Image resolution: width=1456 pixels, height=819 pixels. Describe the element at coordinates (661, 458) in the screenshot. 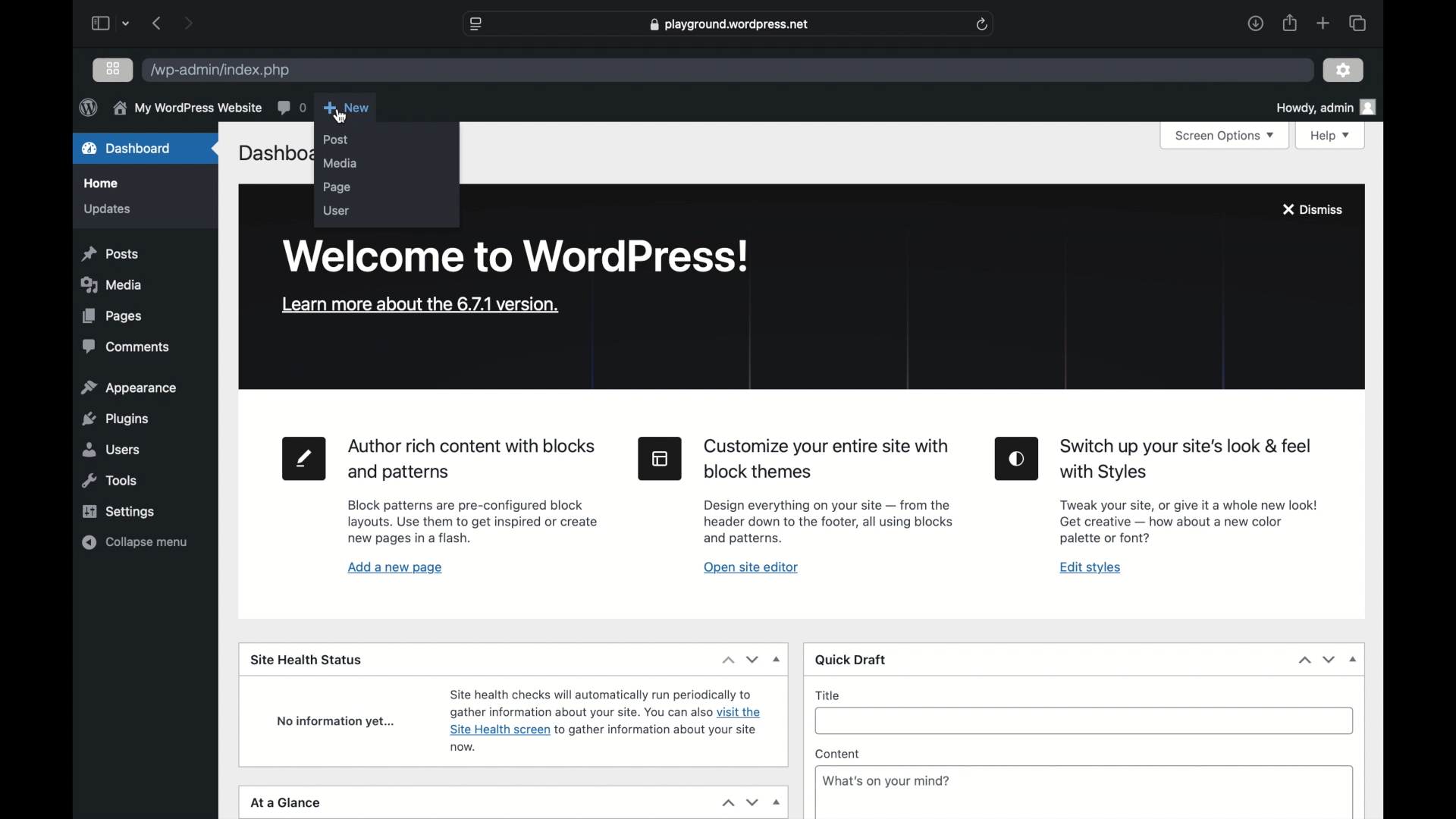

I see `site editor` at that location.